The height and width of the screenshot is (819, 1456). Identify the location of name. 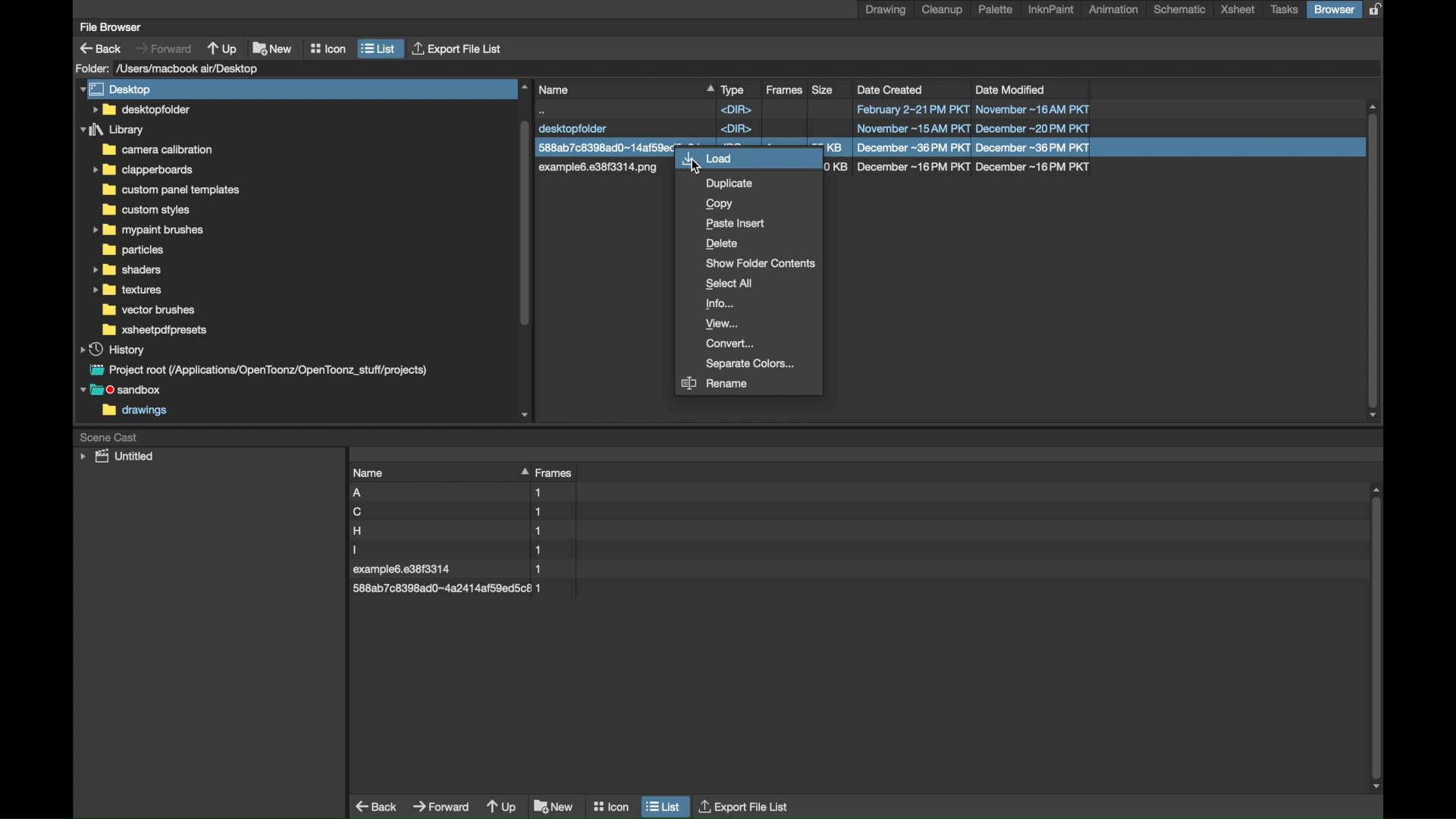
(625, 89).